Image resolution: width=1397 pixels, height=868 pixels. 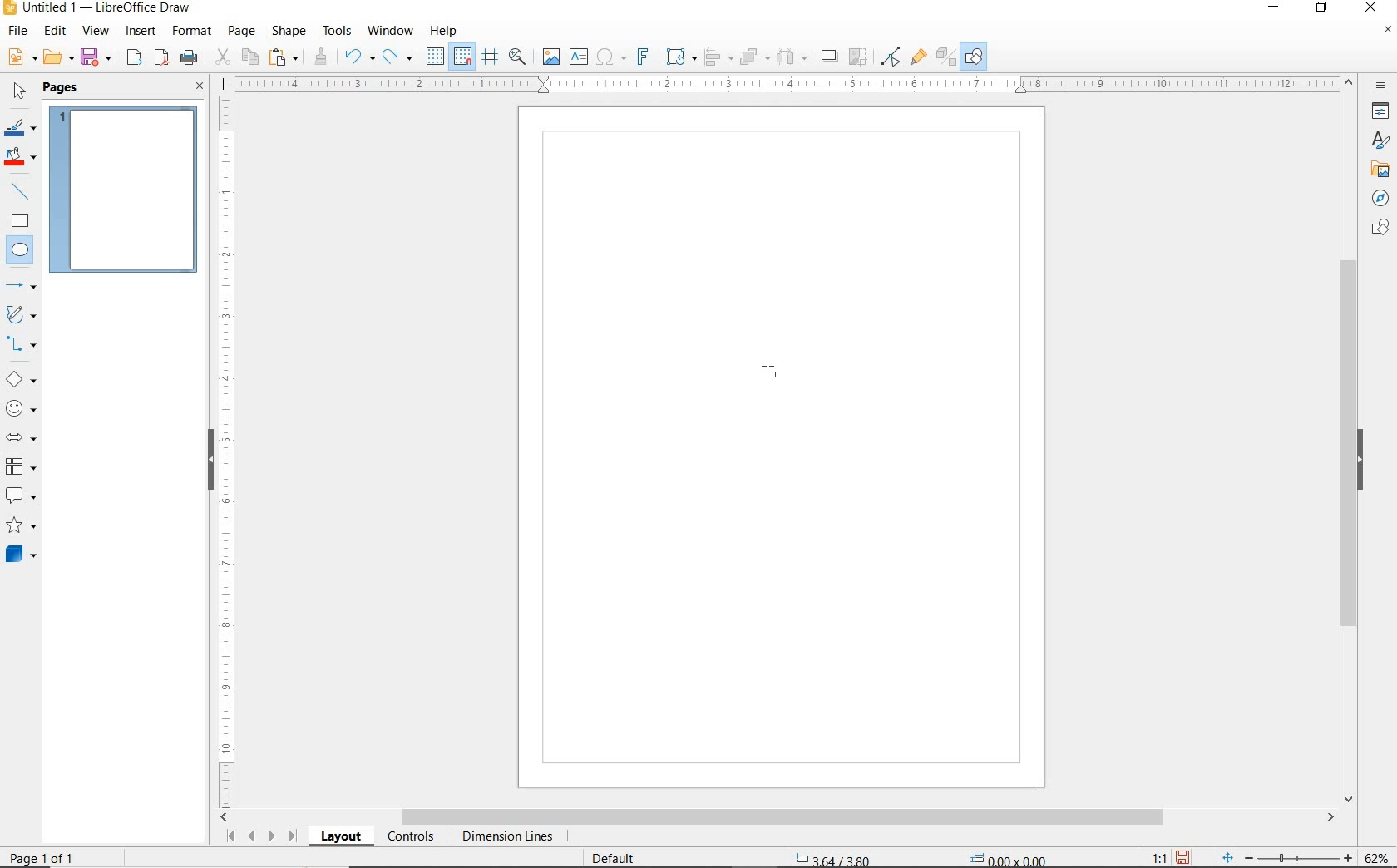 What do you see at coordinates (22, 408) in the screenshot?
I see `SYMBOL SHAPES` at bounding box center [22, 408].